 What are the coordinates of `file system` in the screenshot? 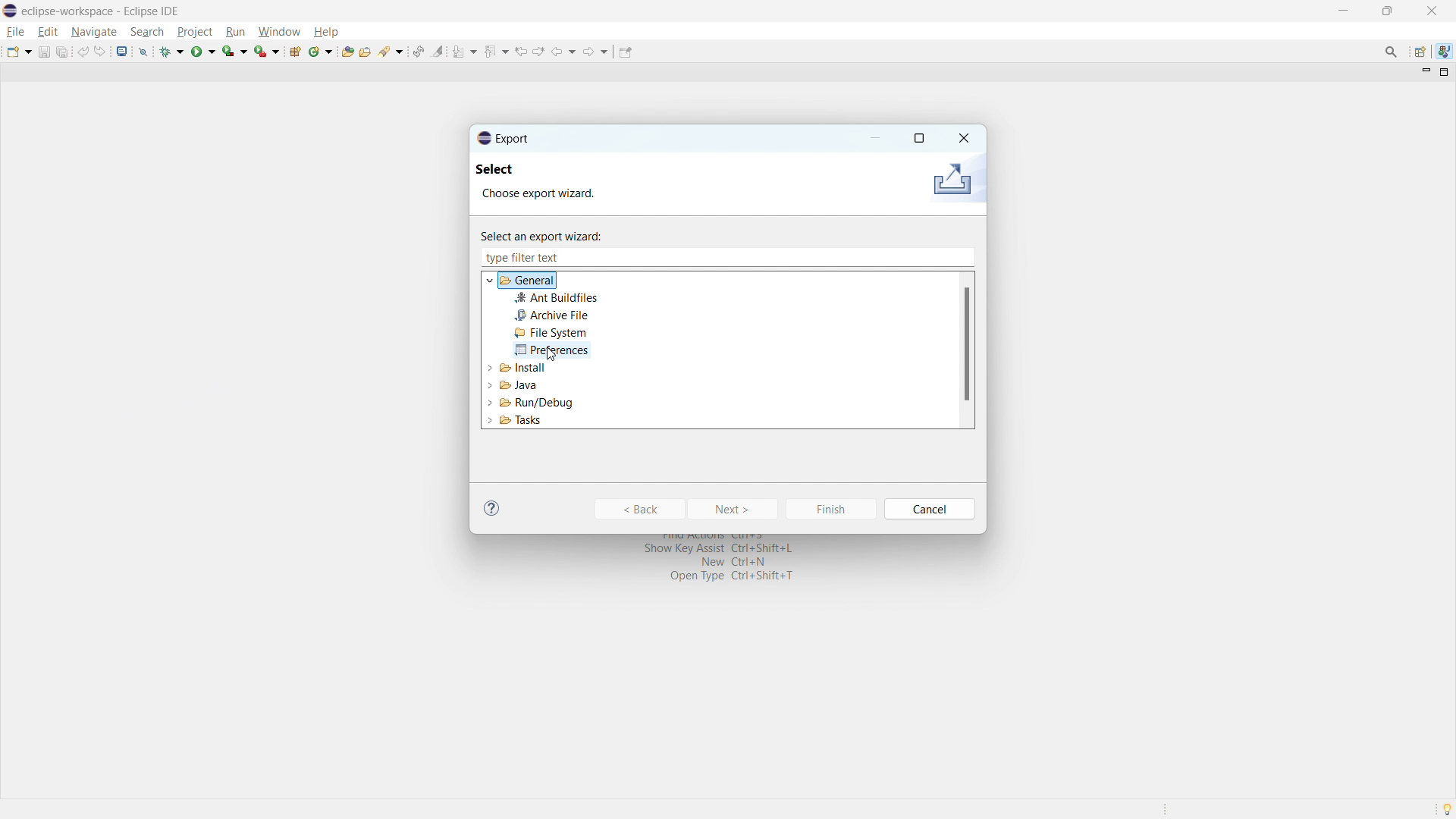 It's located at (551, 333).